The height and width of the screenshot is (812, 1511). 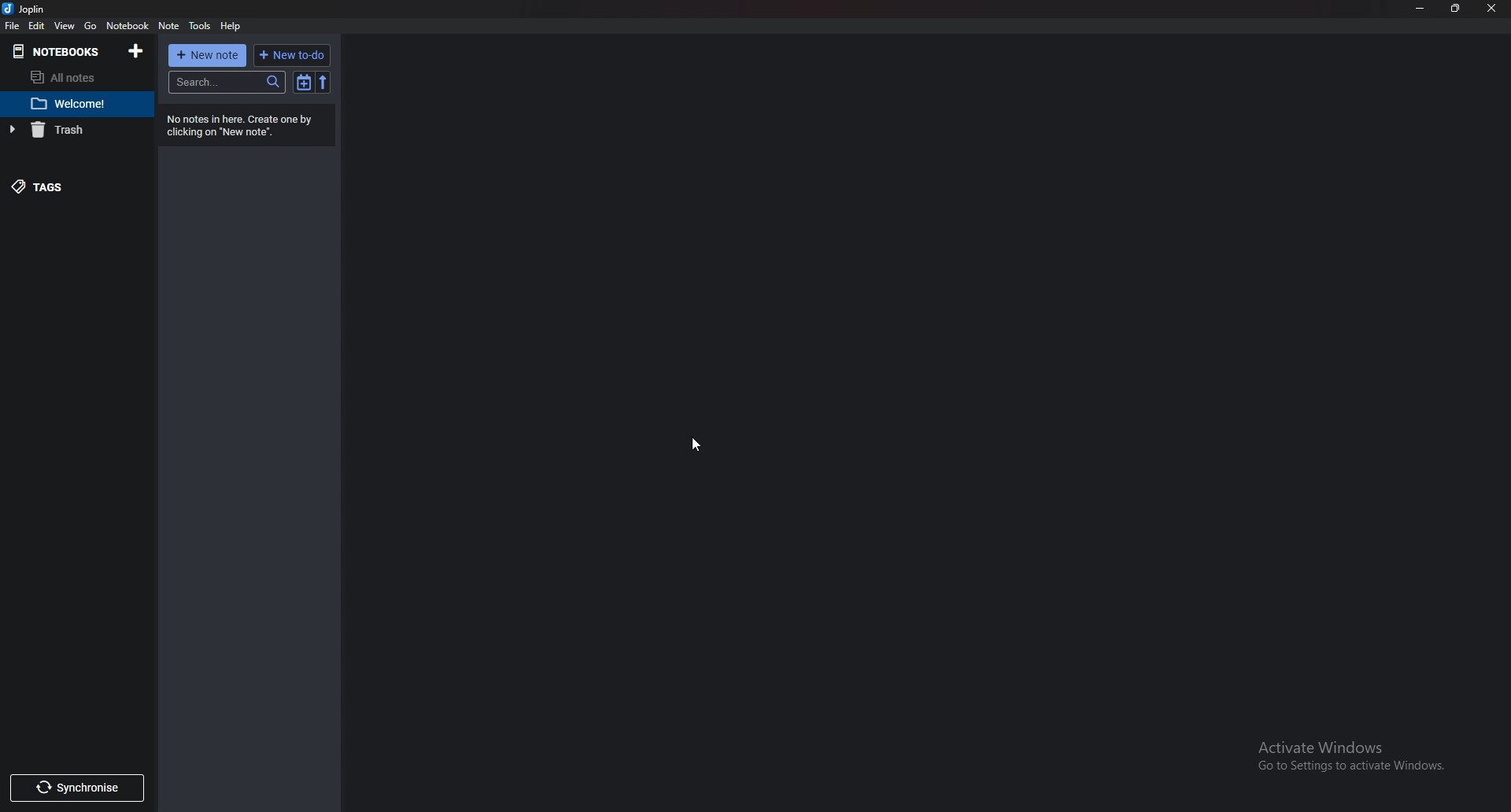 What do you see at coordinates (36, 27) in the screenshot?
I see `Edit` at bounding box center [36, 27].